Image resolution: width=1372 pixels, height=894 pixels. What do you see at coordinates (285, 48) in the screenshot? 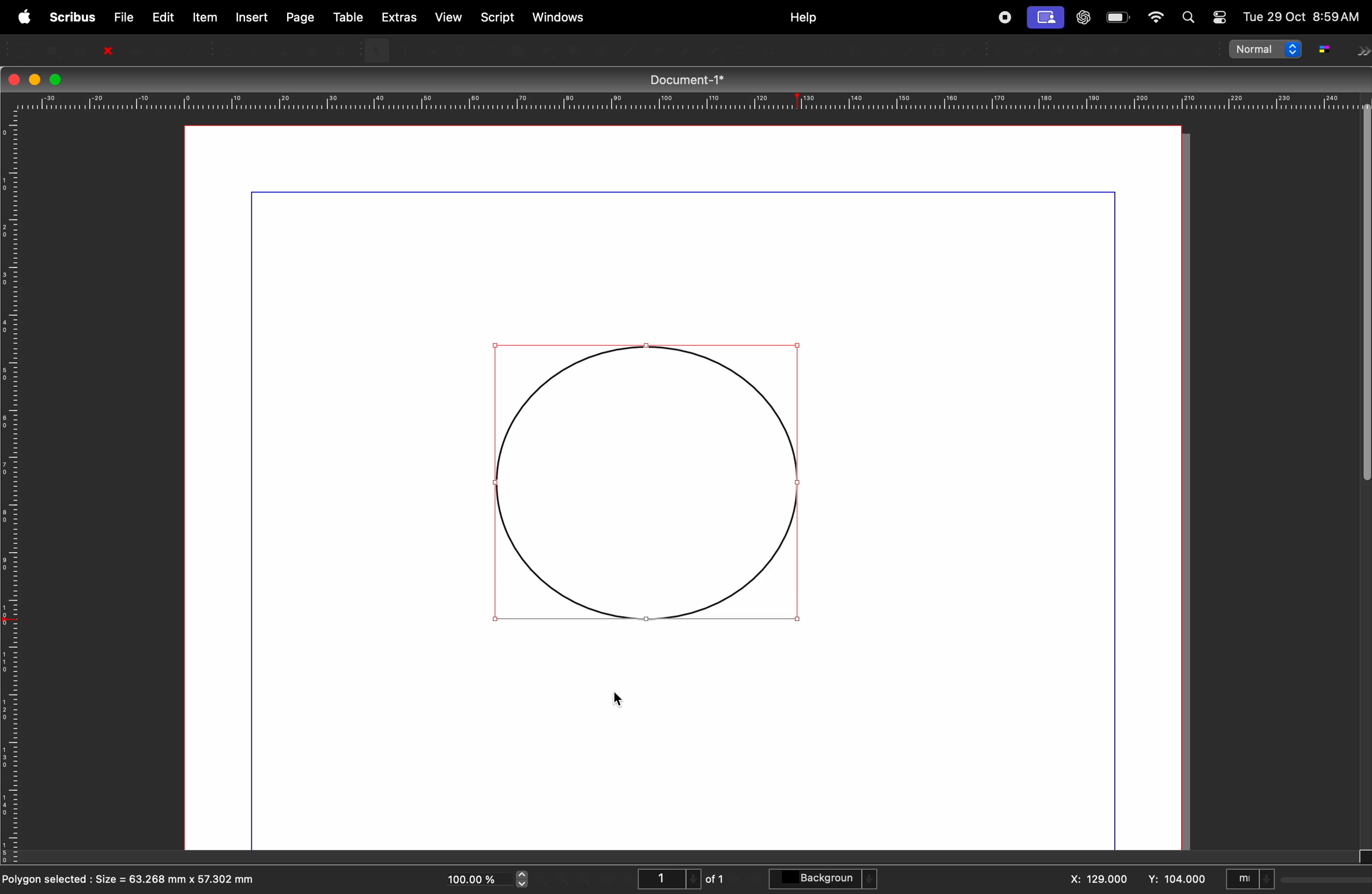
I see `Cut` at bounding box center [285, 48].